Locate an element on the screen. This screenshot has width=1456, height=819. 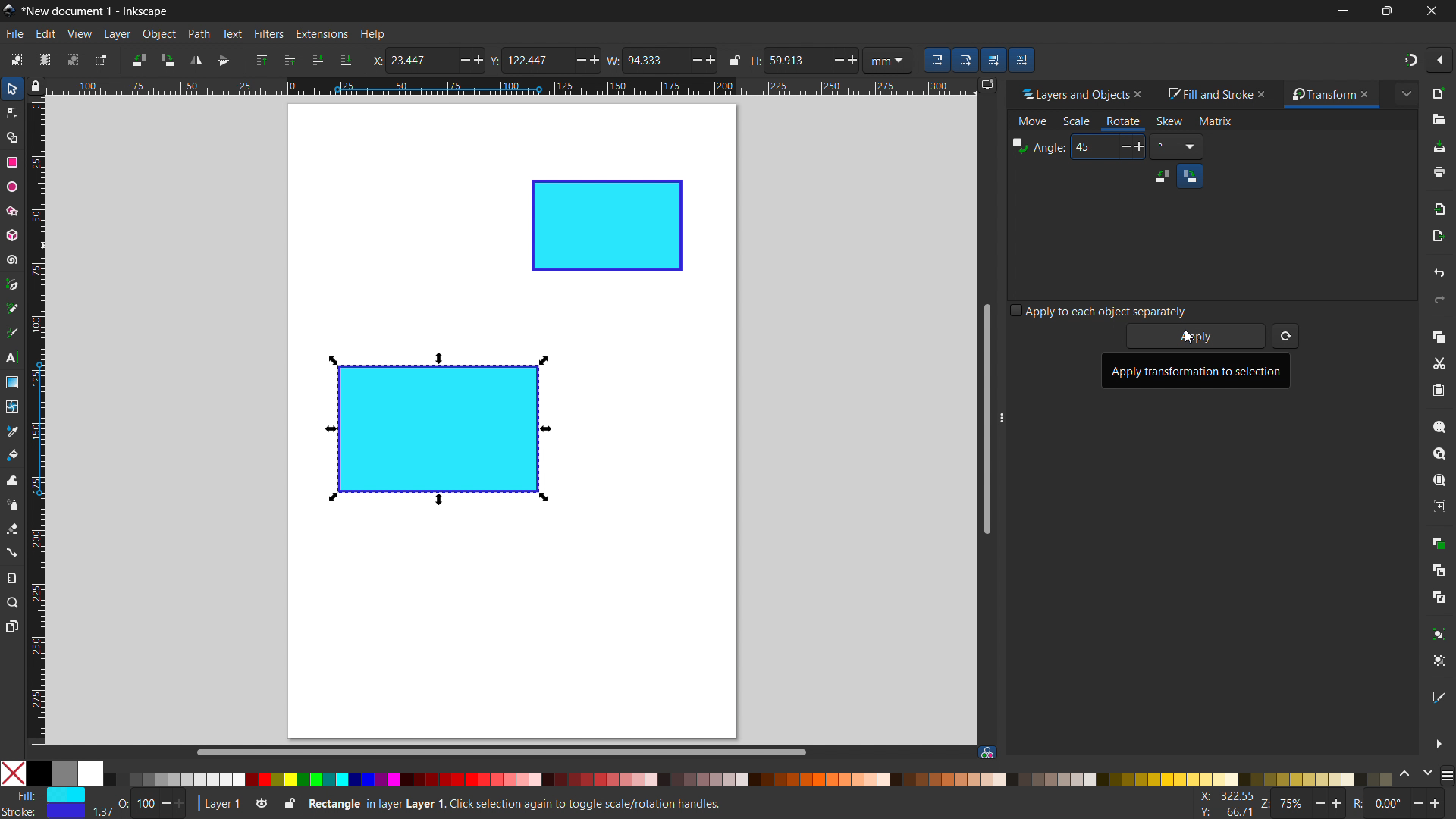
open is located at coordinates (1439, 120).